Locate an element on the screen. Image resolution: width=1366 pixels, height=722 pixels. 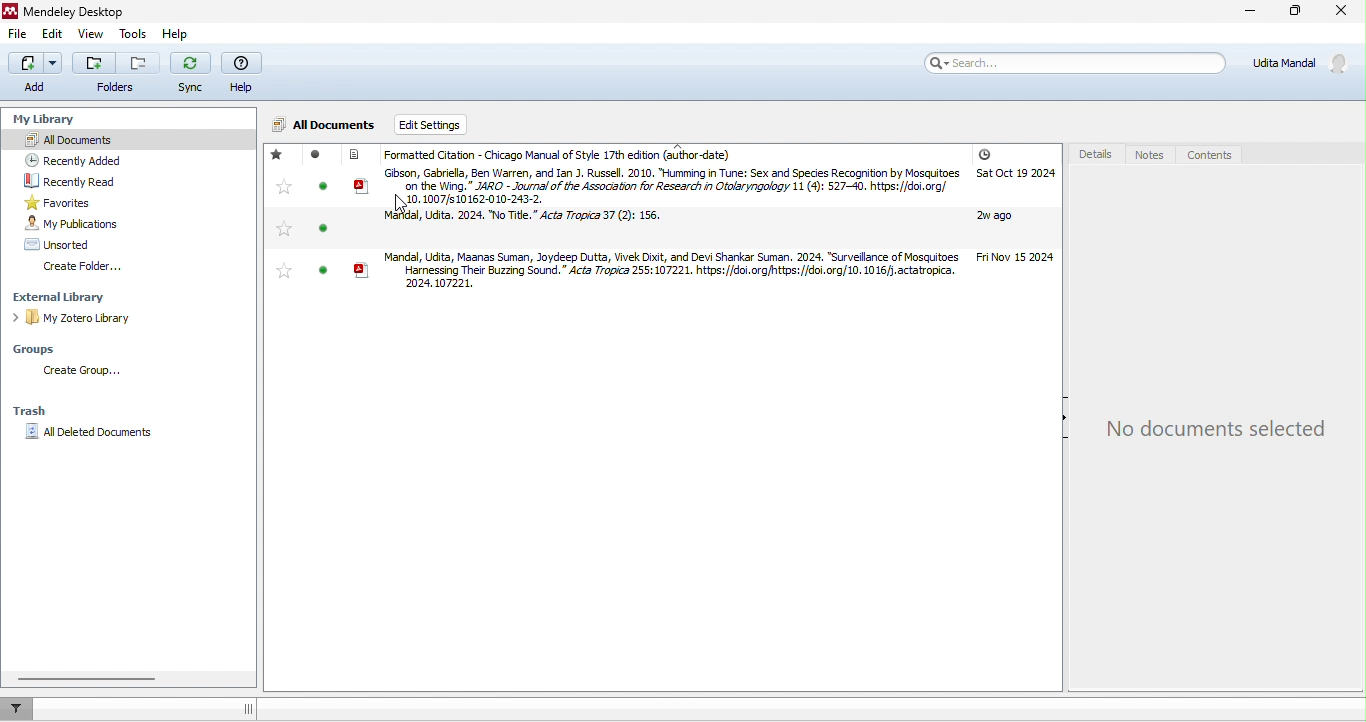
edit is located at coordinates (53, 34).